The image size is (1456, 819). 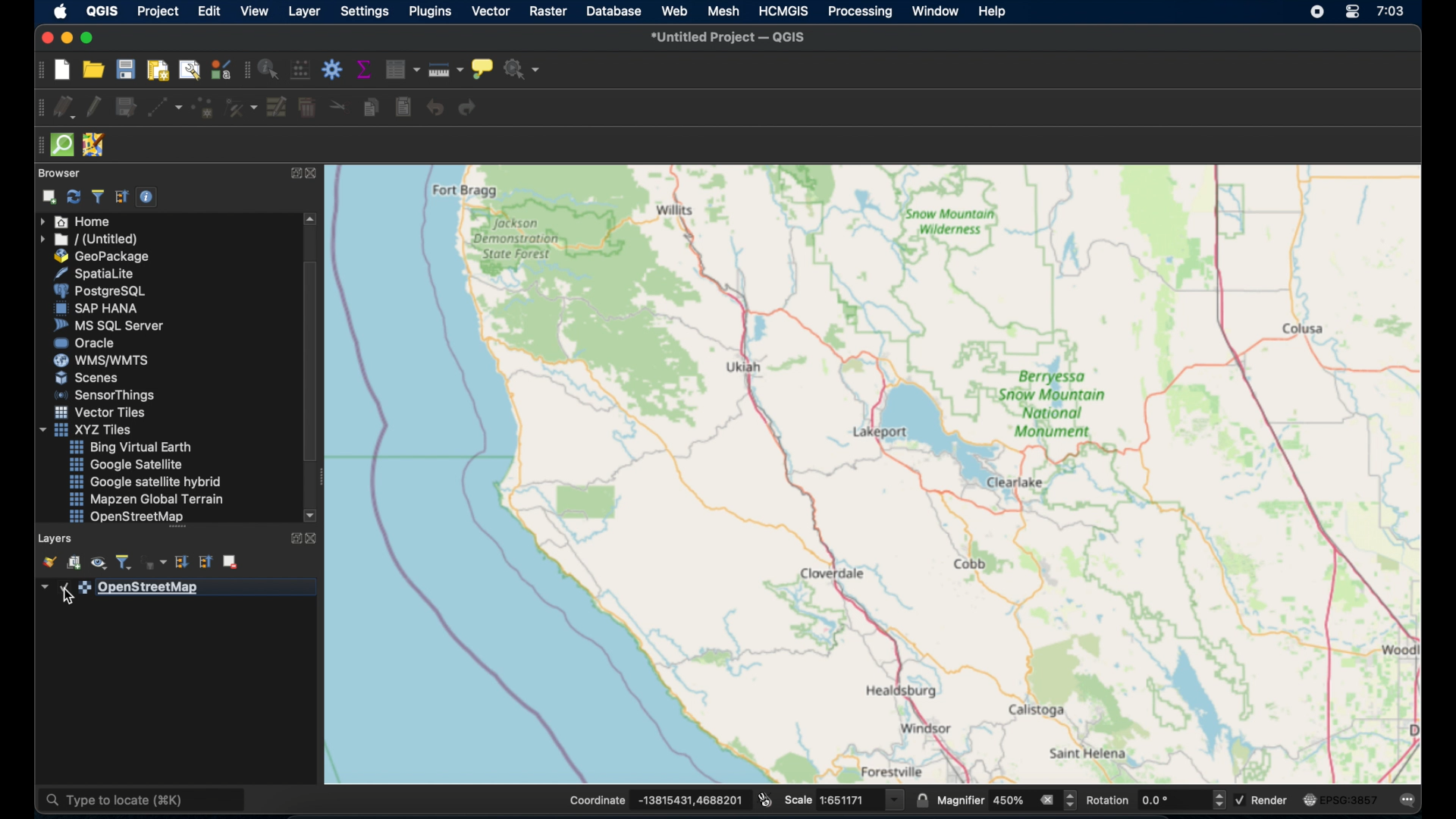 I want to click on project toolbar, so click(x=43, y=71).